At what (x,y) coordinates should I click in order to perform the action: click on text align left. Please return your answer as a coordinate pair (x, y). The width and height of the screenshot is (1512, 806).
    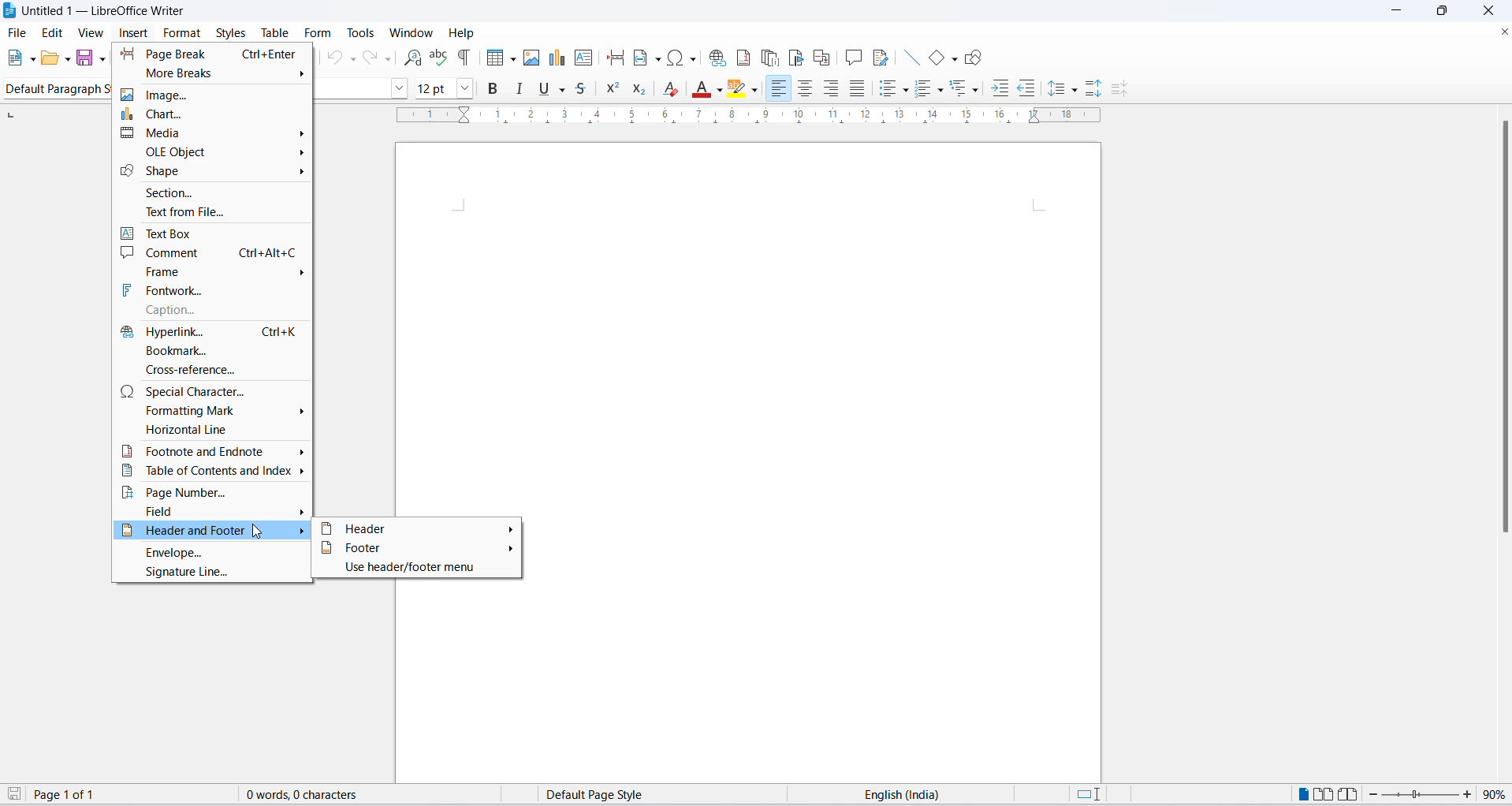
    Looking at the image, I should click on (780, 88).